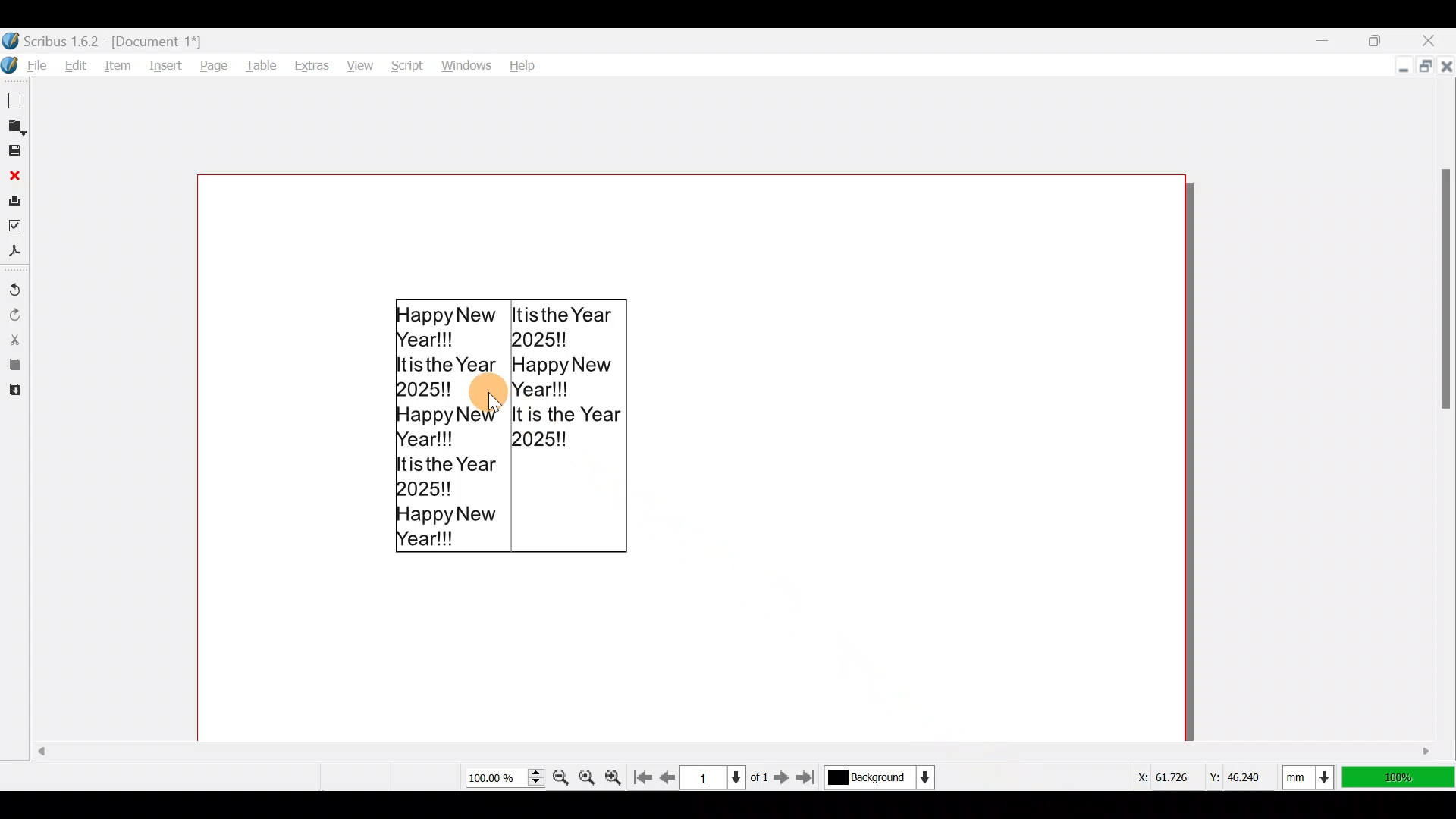 The image size is (1456, 819). What do you see at coordinates (17, 99) in the screenshot?
I see `New` at bounding box center [17, 99].